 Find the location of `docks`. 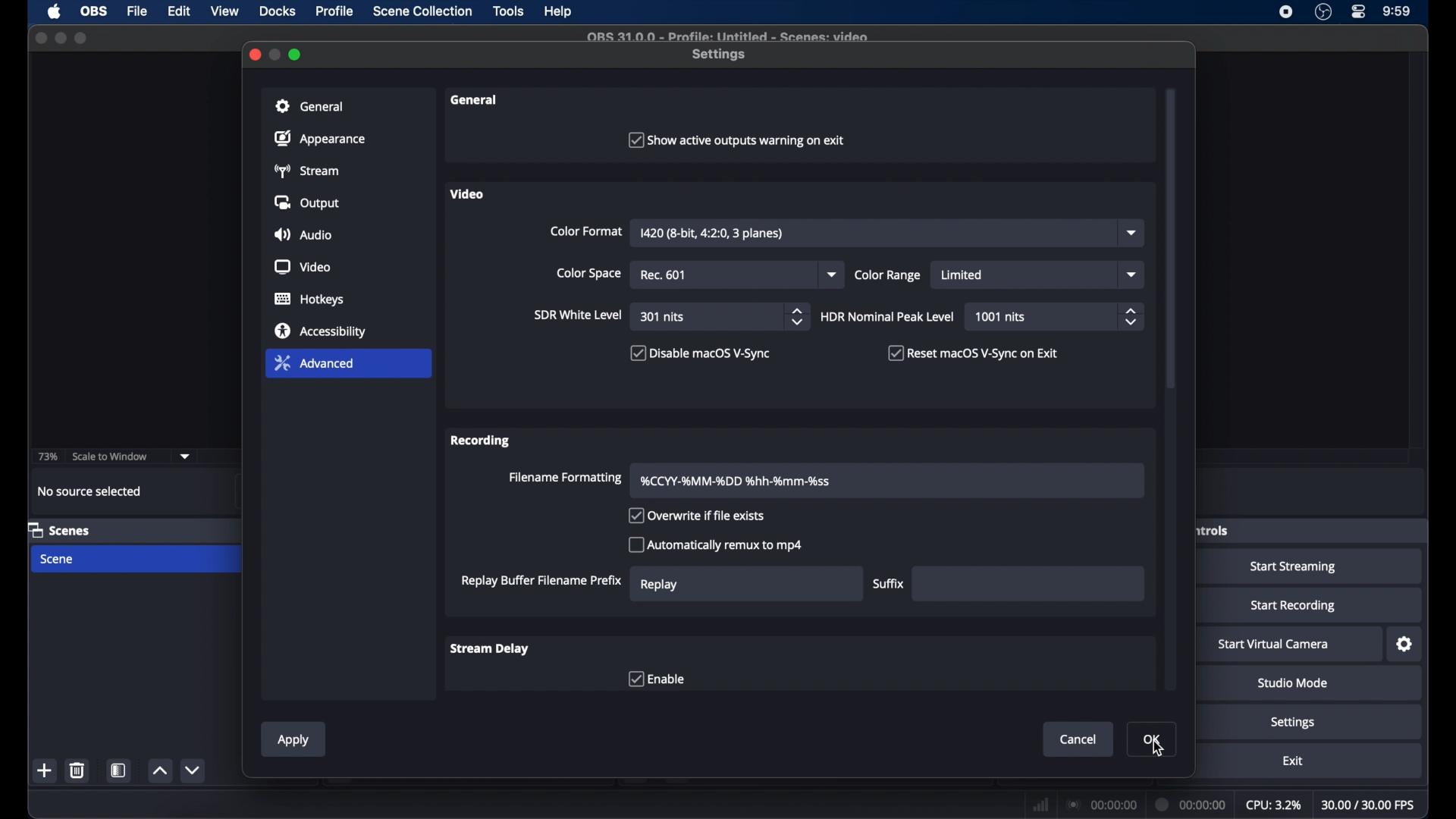

docks is located at coordinates (278, 11).